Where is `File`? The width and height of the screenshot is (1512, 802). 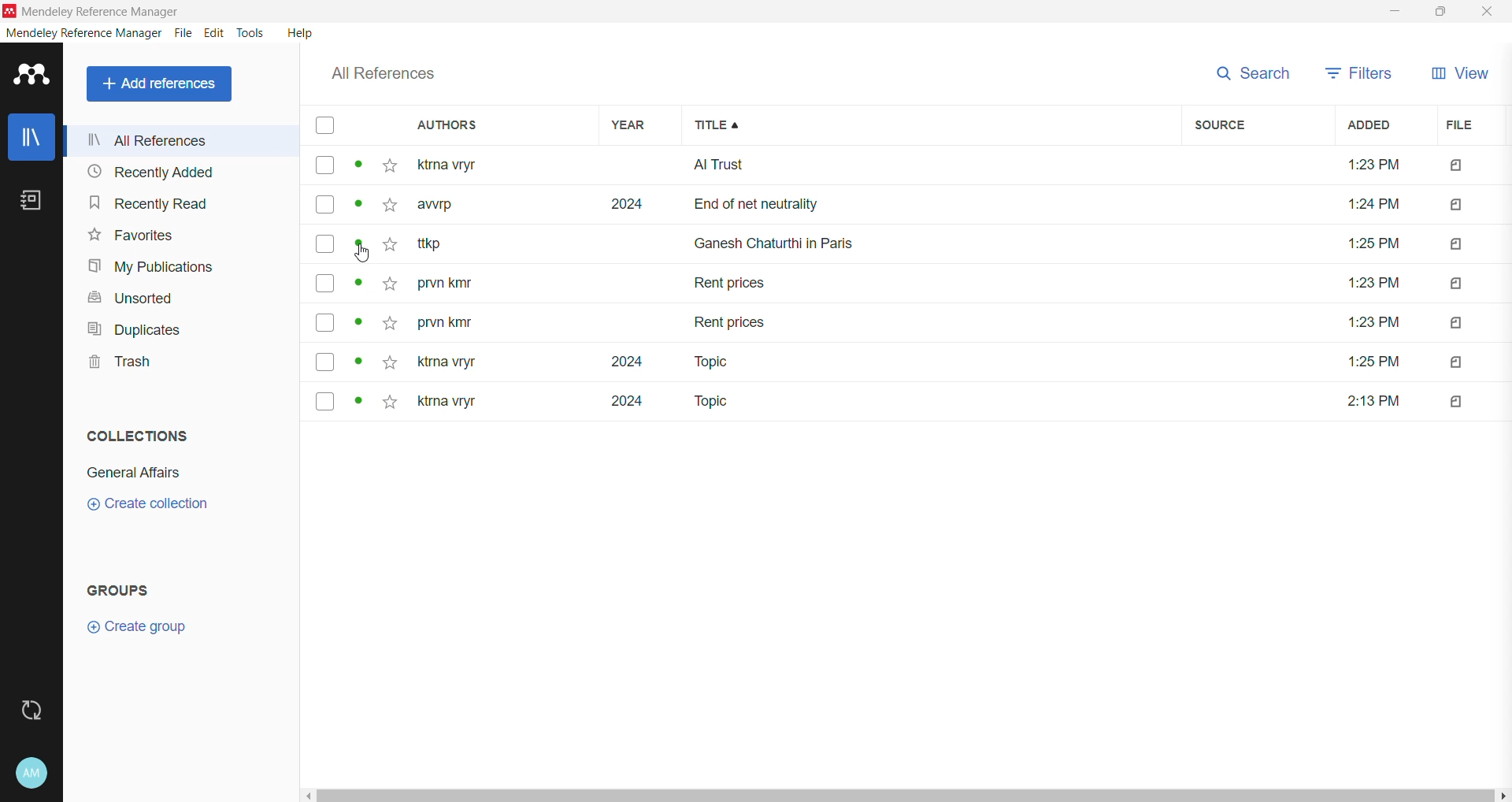 File is located at coordinates (184, 35).